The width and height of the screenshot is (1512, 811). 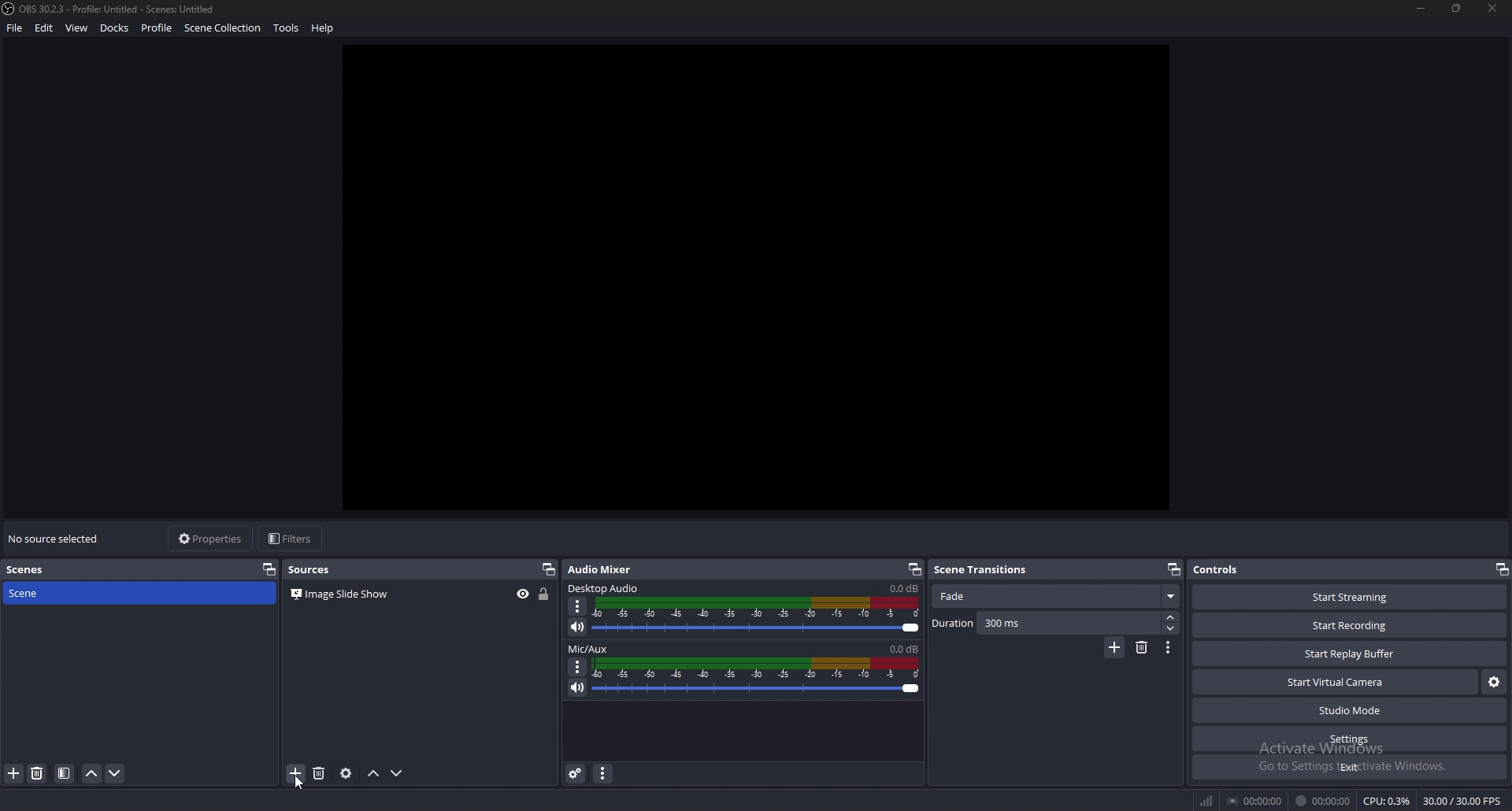 I want to click on exit, so click(x=1348, y=767).